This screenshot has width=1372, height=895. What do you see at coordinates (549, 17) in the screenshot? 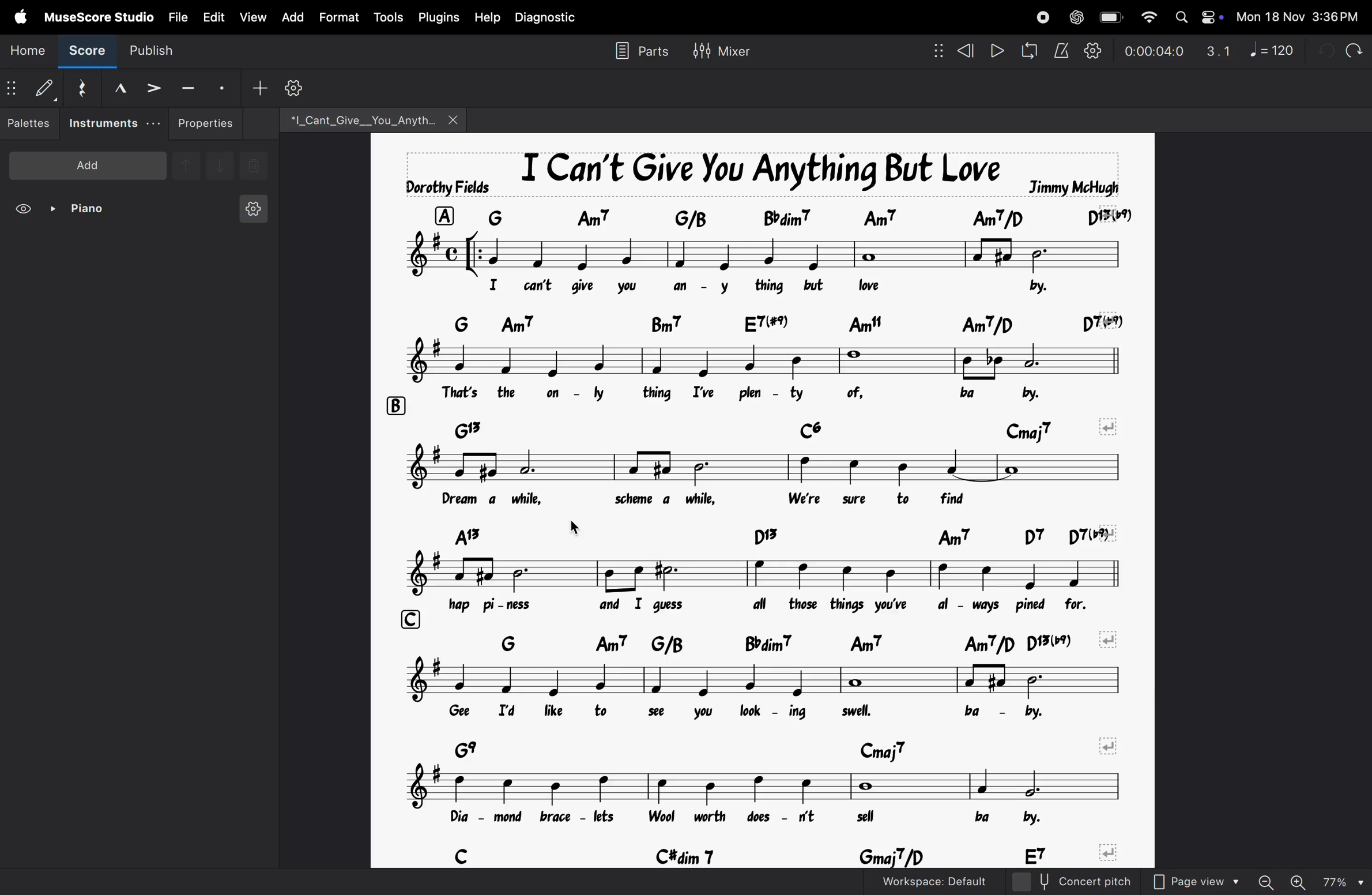
I see `diagnostic` at bounding box center [549, 17].